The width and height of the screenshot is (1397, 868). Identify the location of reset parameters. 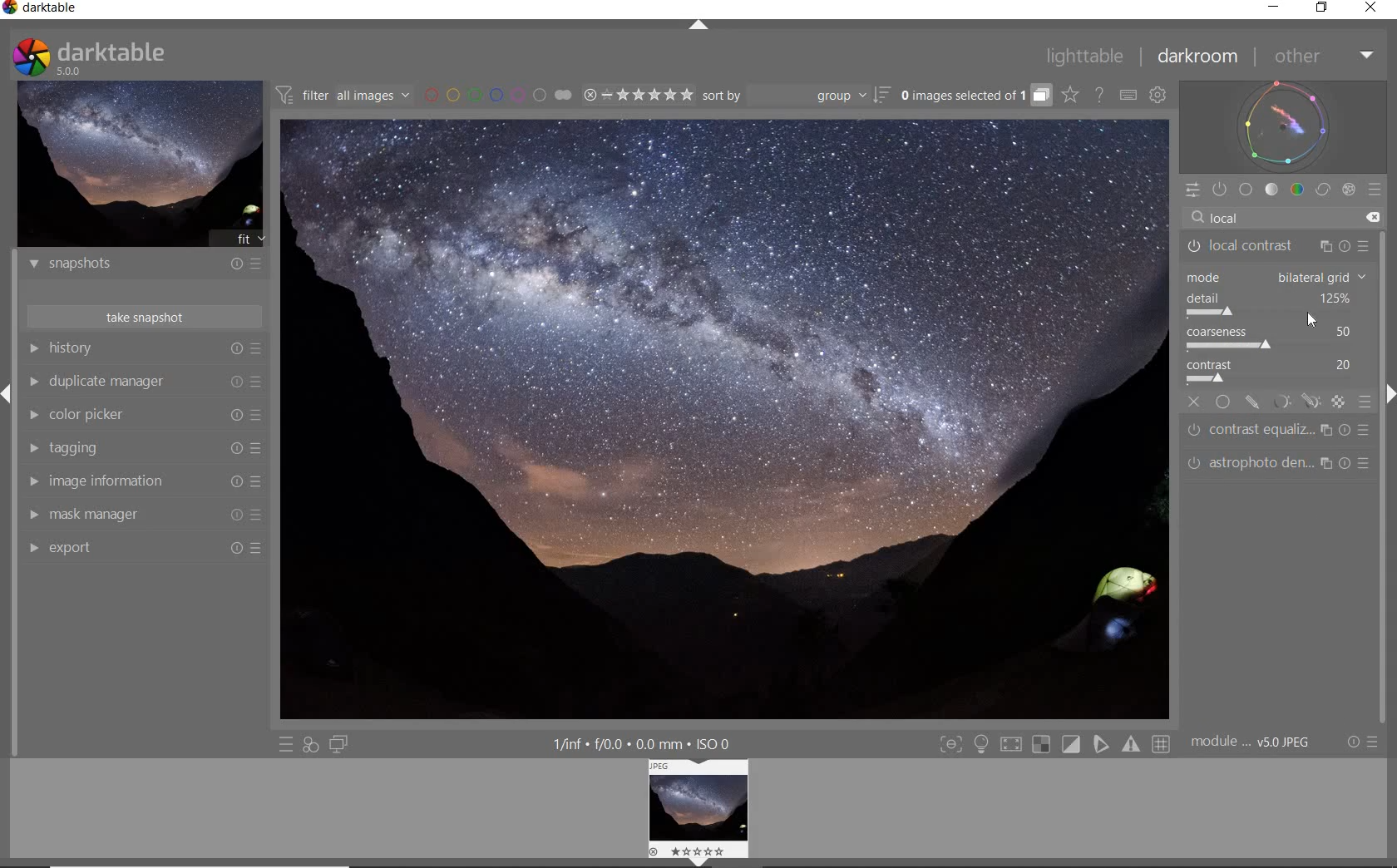
(1369, 463).